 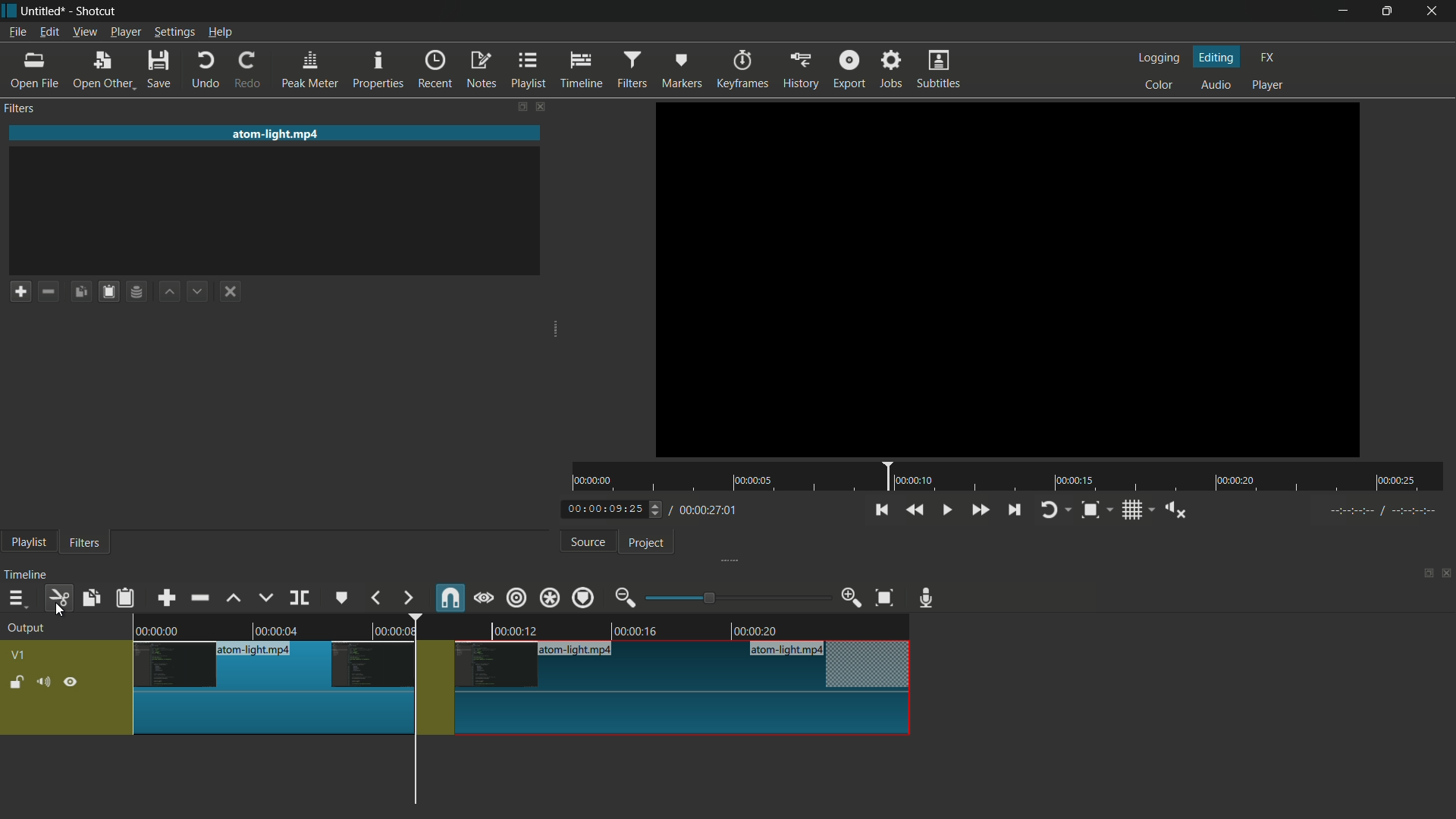 I want to click on paste filters, so click(x=127, y=598).